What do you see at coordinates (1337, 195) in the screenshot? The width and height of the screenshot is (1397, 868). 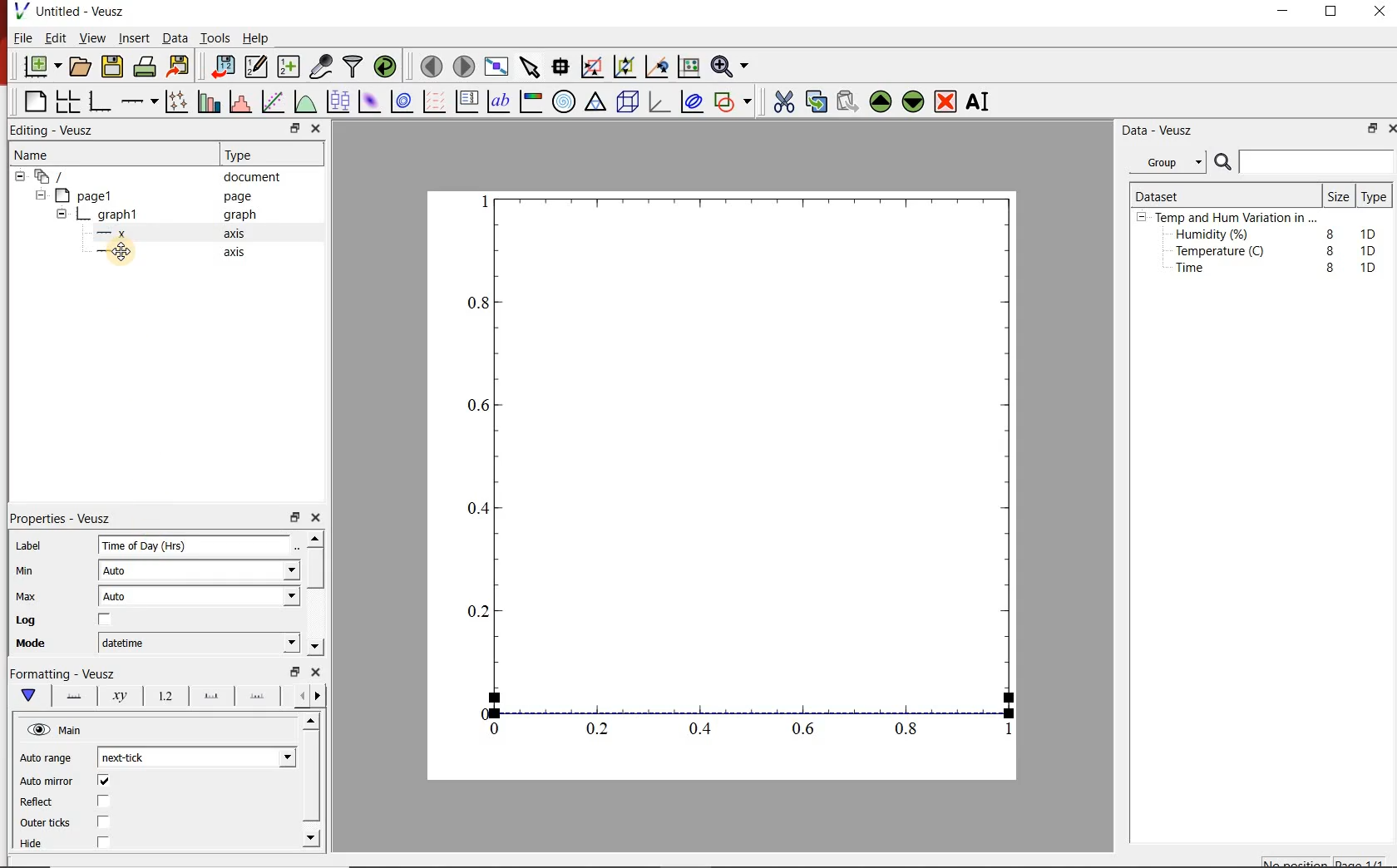 I see `Size` at bounding box center [1337, 195].